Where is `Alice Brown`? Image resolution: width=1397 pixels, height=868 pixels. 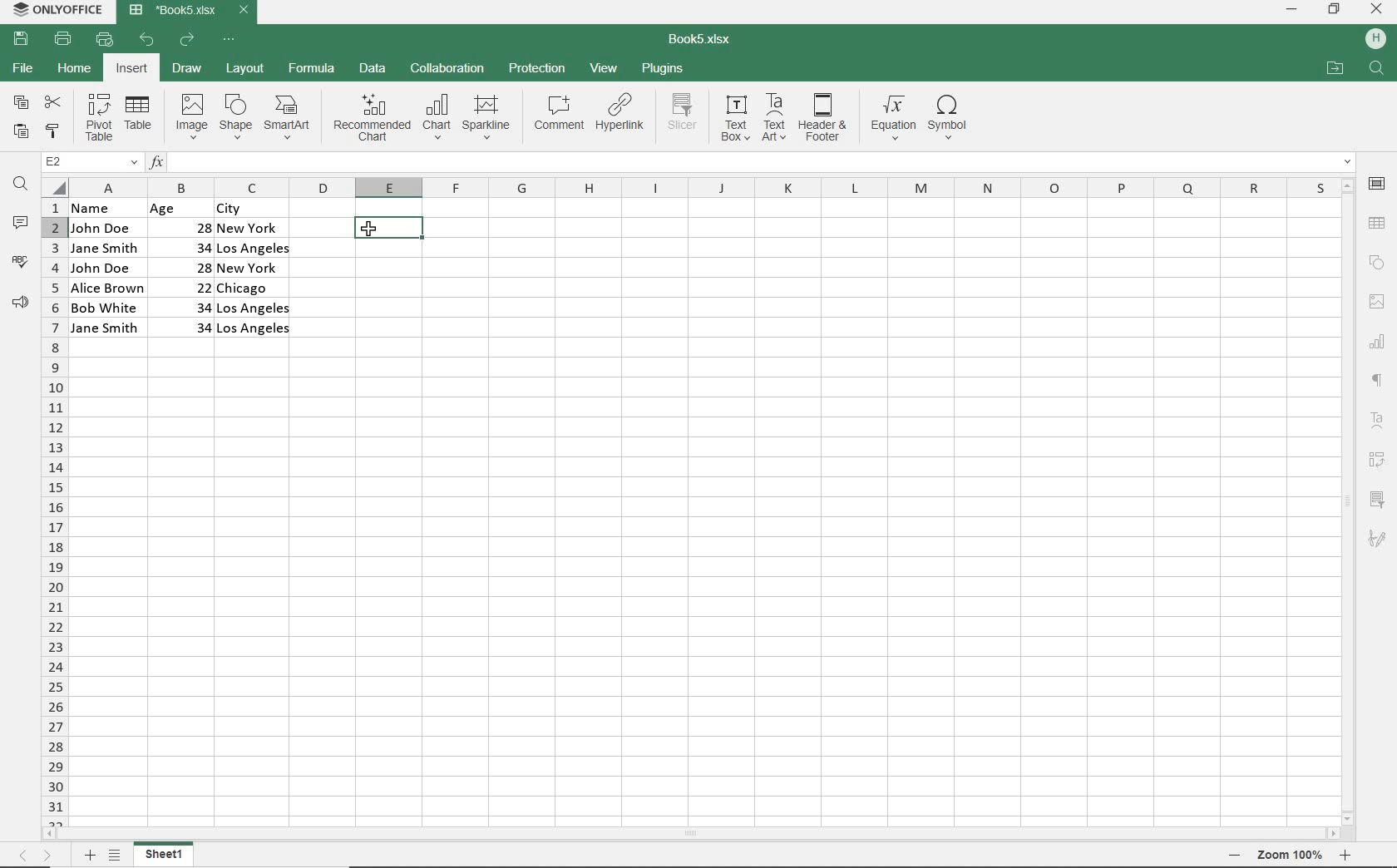
Alice Brown is located at coordinates (107, 288).